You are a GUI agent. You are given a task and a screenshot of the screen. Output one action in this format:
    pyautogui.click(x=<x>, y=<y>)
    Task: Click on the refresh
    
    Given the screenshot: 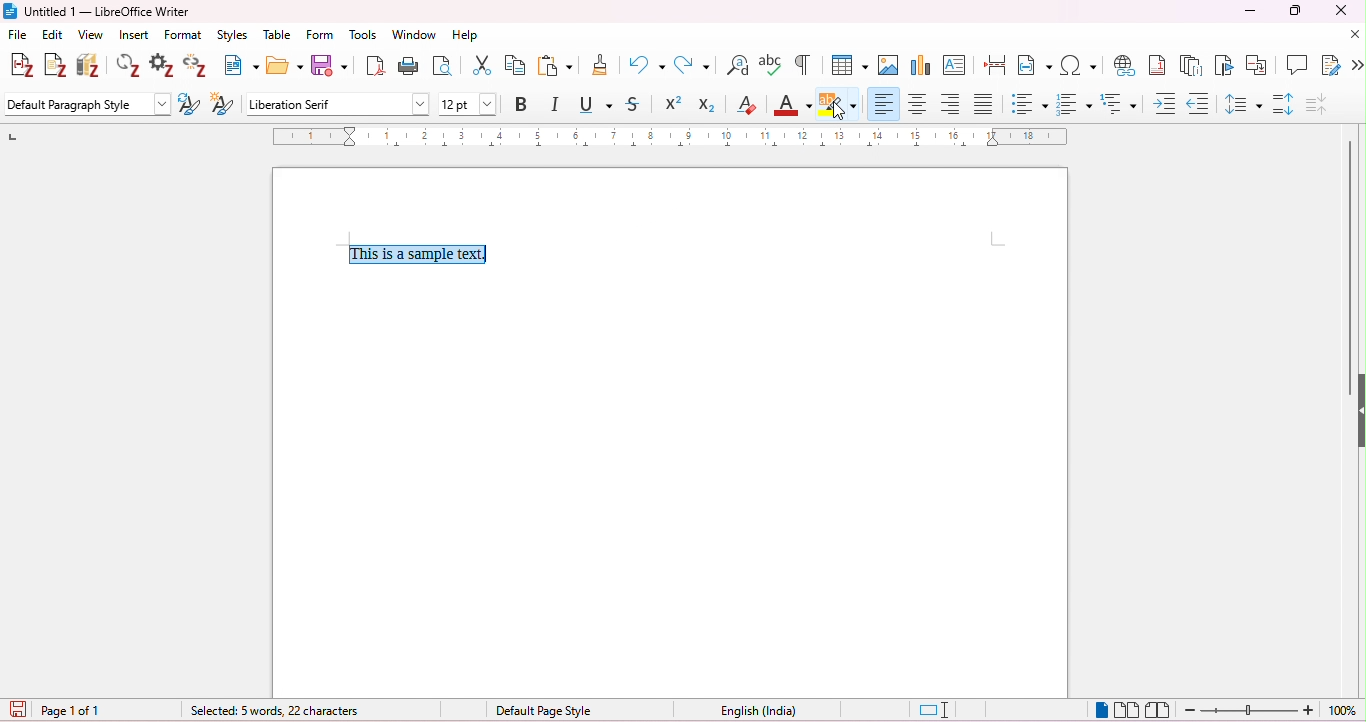 What is the action you would take?
    pyautogui.click(x=130, y=65)
    